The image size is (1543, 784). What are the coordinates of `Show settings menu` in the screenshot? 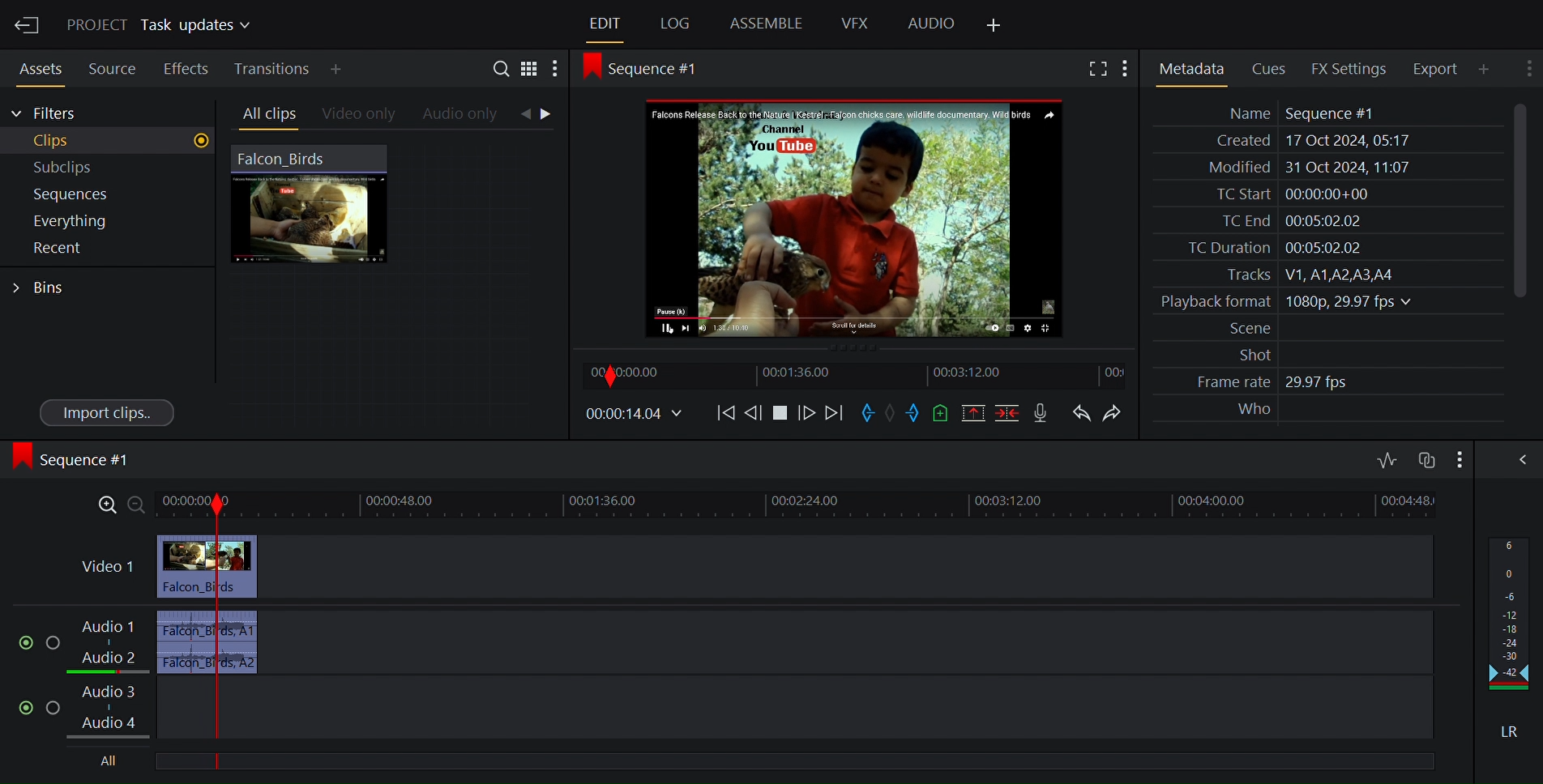 It's located at (1128, 68).